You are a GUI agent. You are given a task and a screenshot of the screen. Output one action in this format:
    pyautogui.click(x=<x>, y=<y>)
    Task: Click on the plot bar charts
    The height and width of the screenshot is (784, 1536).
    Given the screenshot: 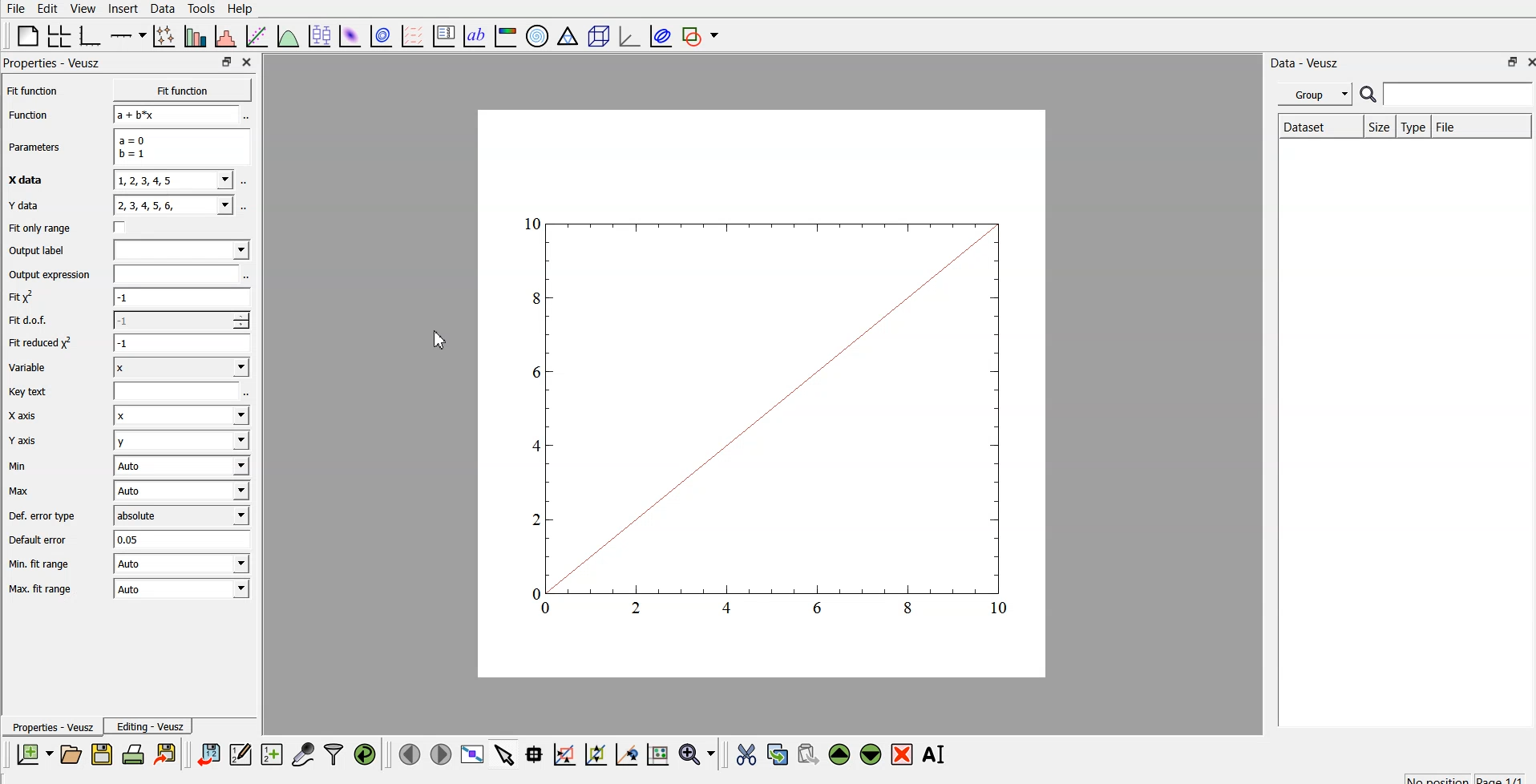 What is the action you would take?
    pyautogui.click(x=195, y=36)
    